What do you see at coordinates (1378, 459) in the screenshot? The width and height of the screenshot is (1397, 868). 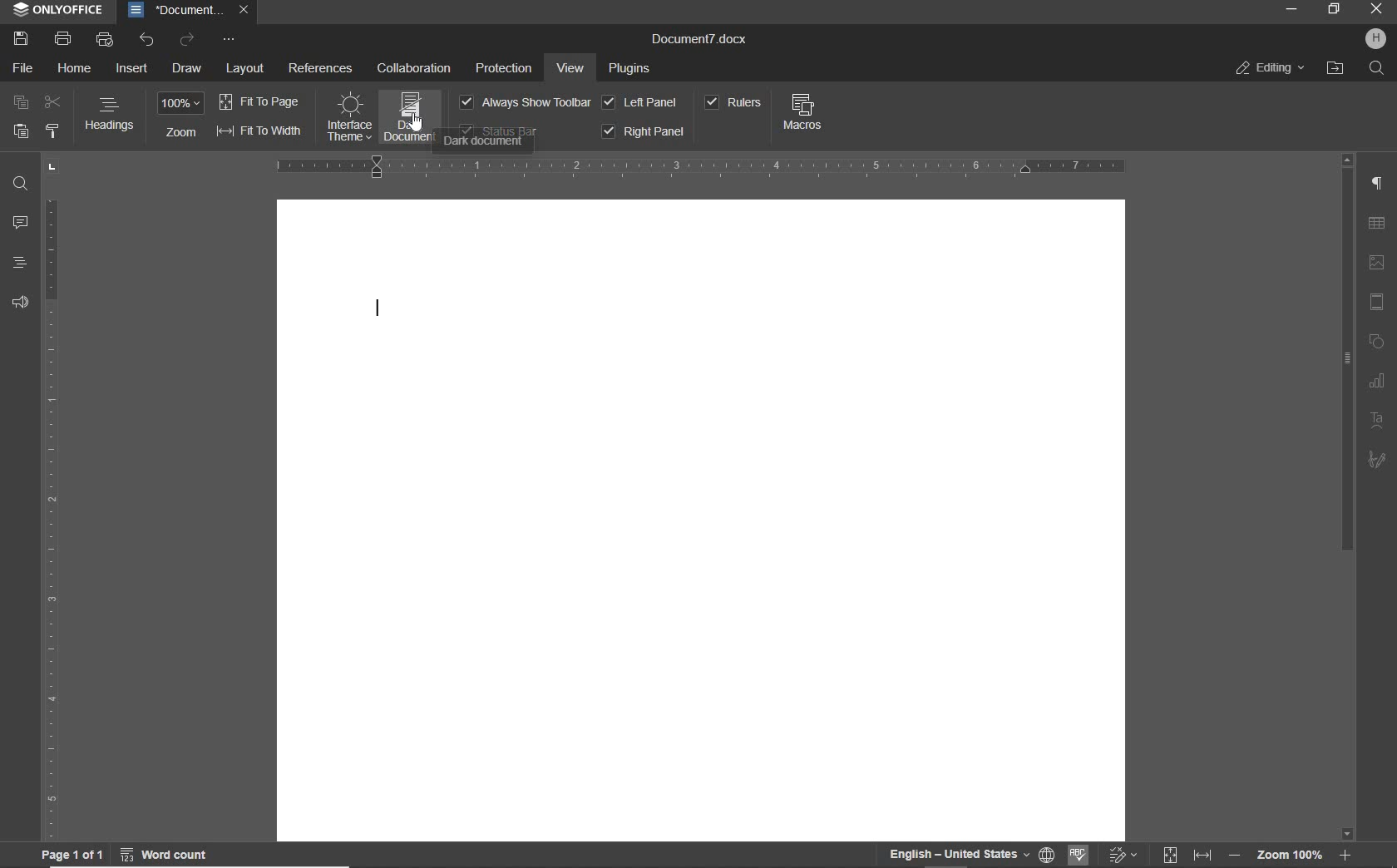 I see `SIGNATURE` at bounding box center [1378, 459].